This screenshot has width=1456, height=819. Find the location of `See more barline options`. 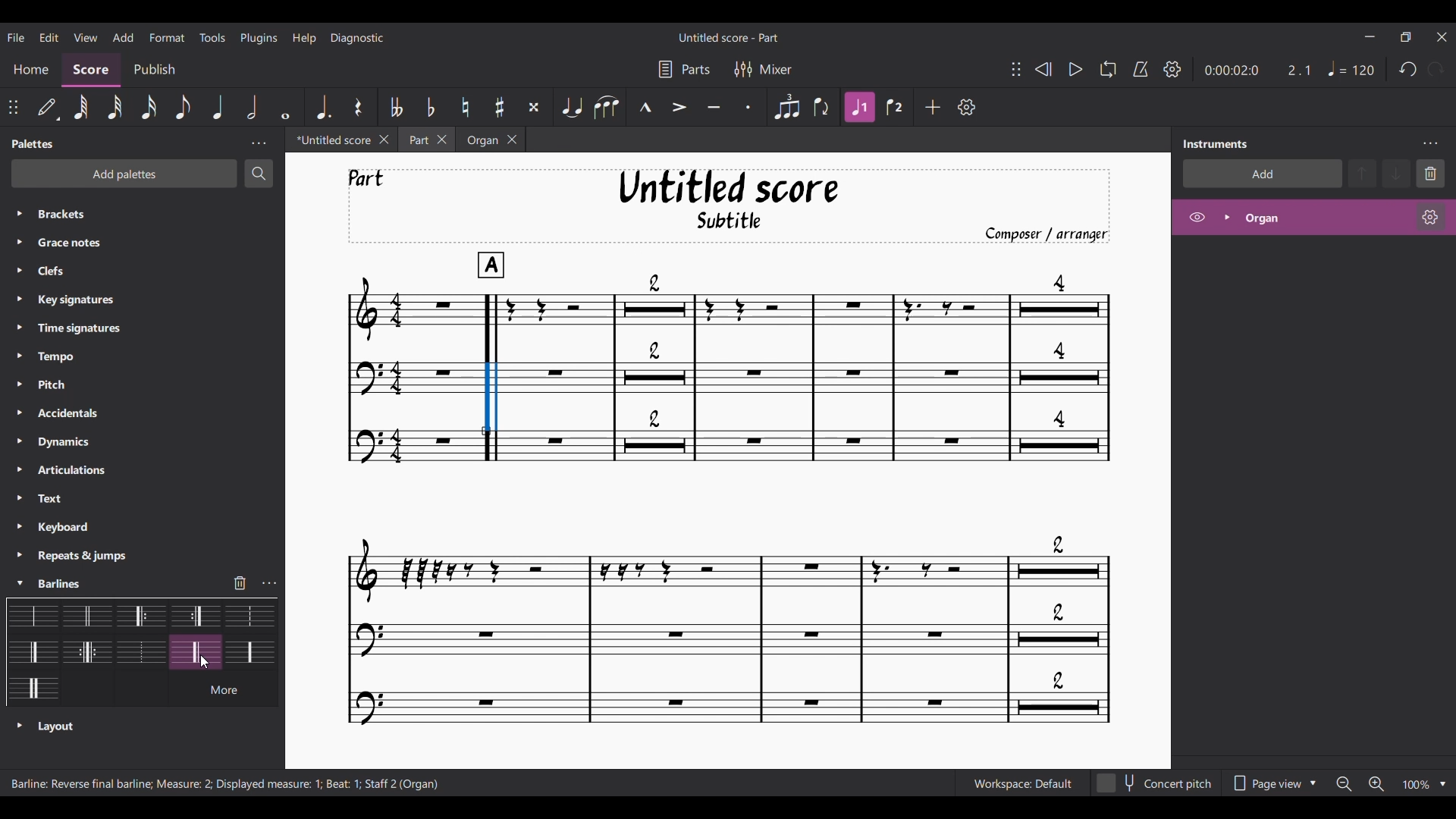

See more barline options is located at coordinates (224, 689).